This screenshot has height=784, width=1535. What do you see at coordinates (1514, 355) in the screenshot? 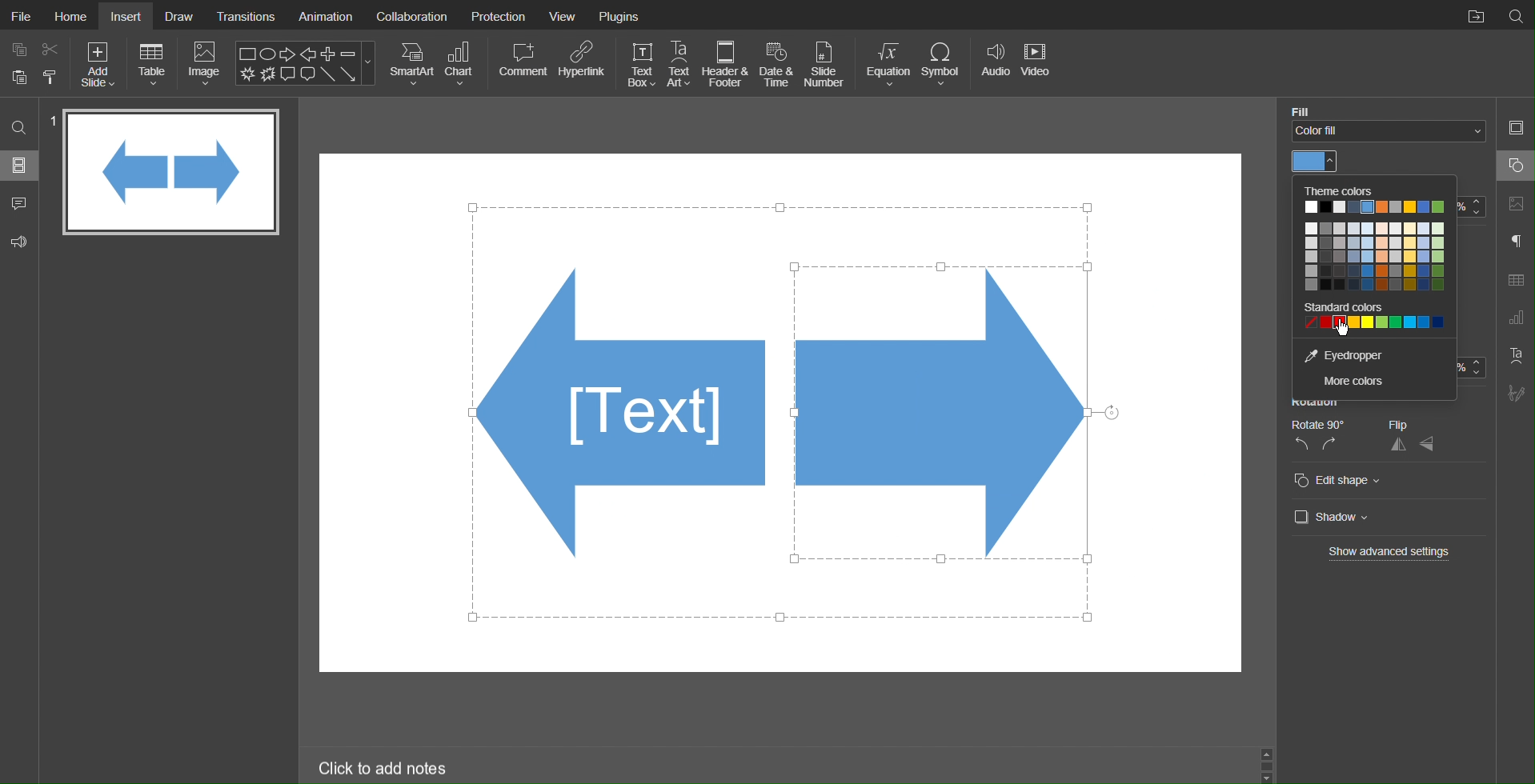
I see `Text Art` at bounding box center [1514, 355].